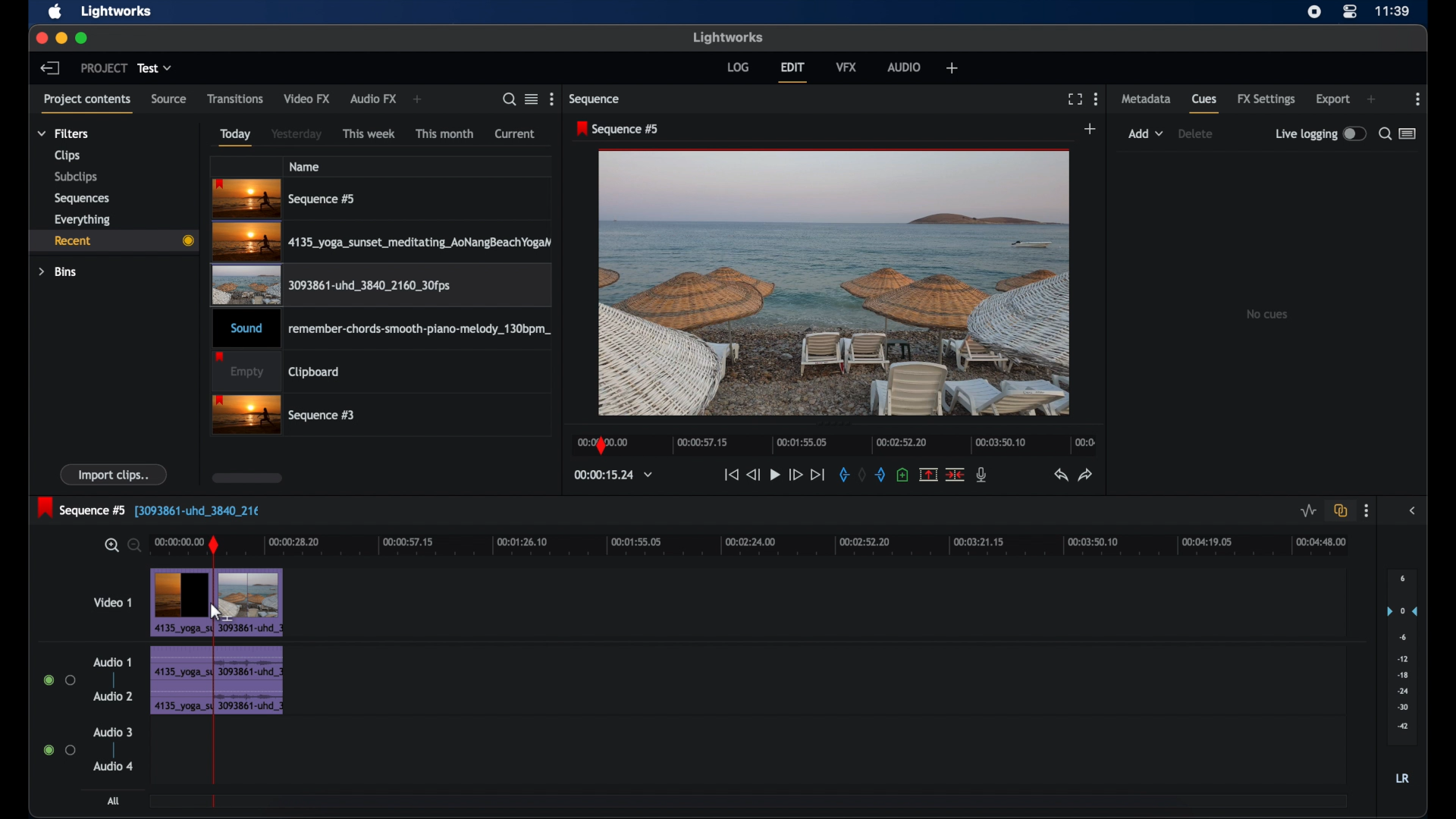 This screenshot has width=1456, height=819. Describe the element at coordinates (1418, 99) in the screenshot. I see `moreoptions` at that location.